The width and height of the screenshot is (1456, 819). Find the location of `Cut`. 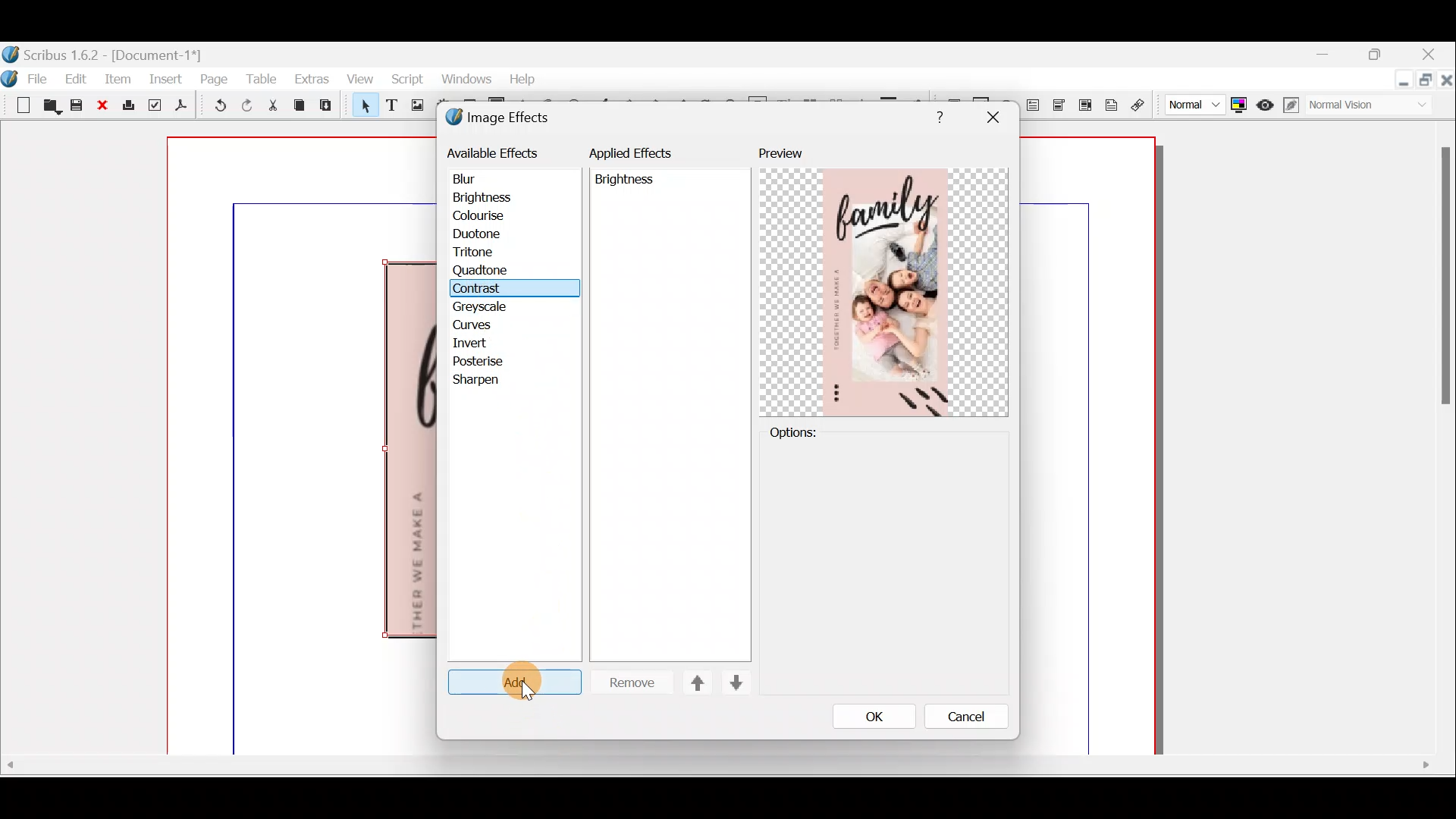

Cut is located at coordinates (272, 108).